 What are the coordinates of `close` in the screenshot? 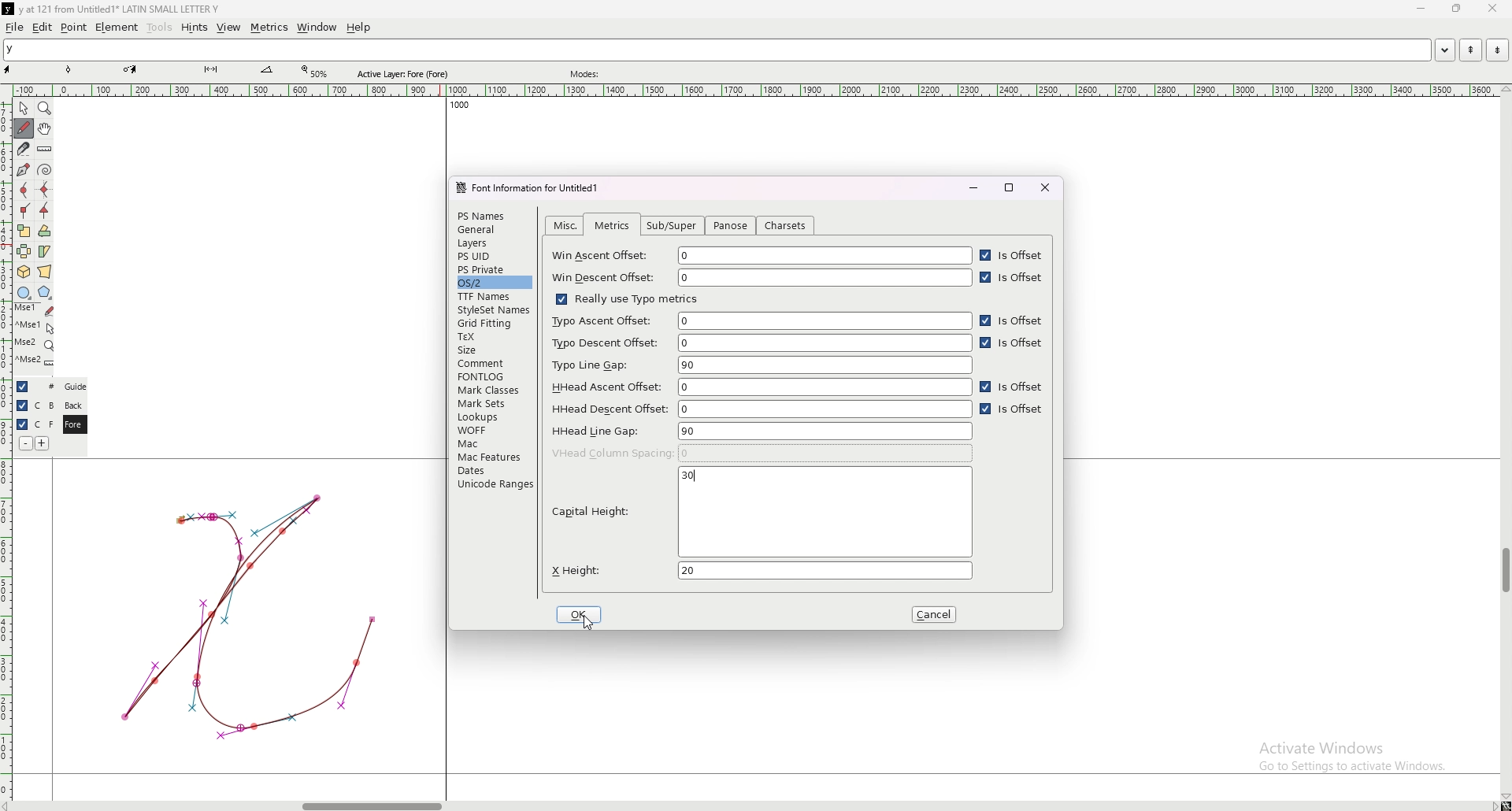 It's located at (1046, 187).